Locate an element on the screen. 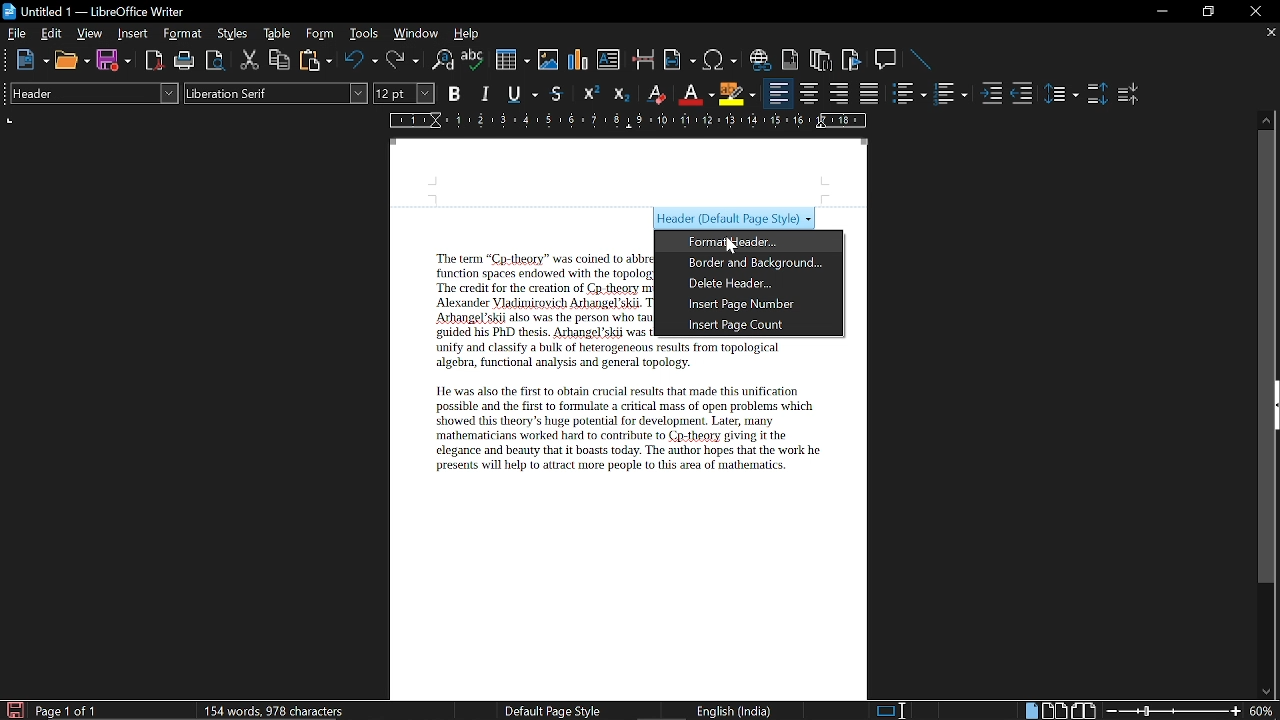  Align right is located at coordinates (841, 93).